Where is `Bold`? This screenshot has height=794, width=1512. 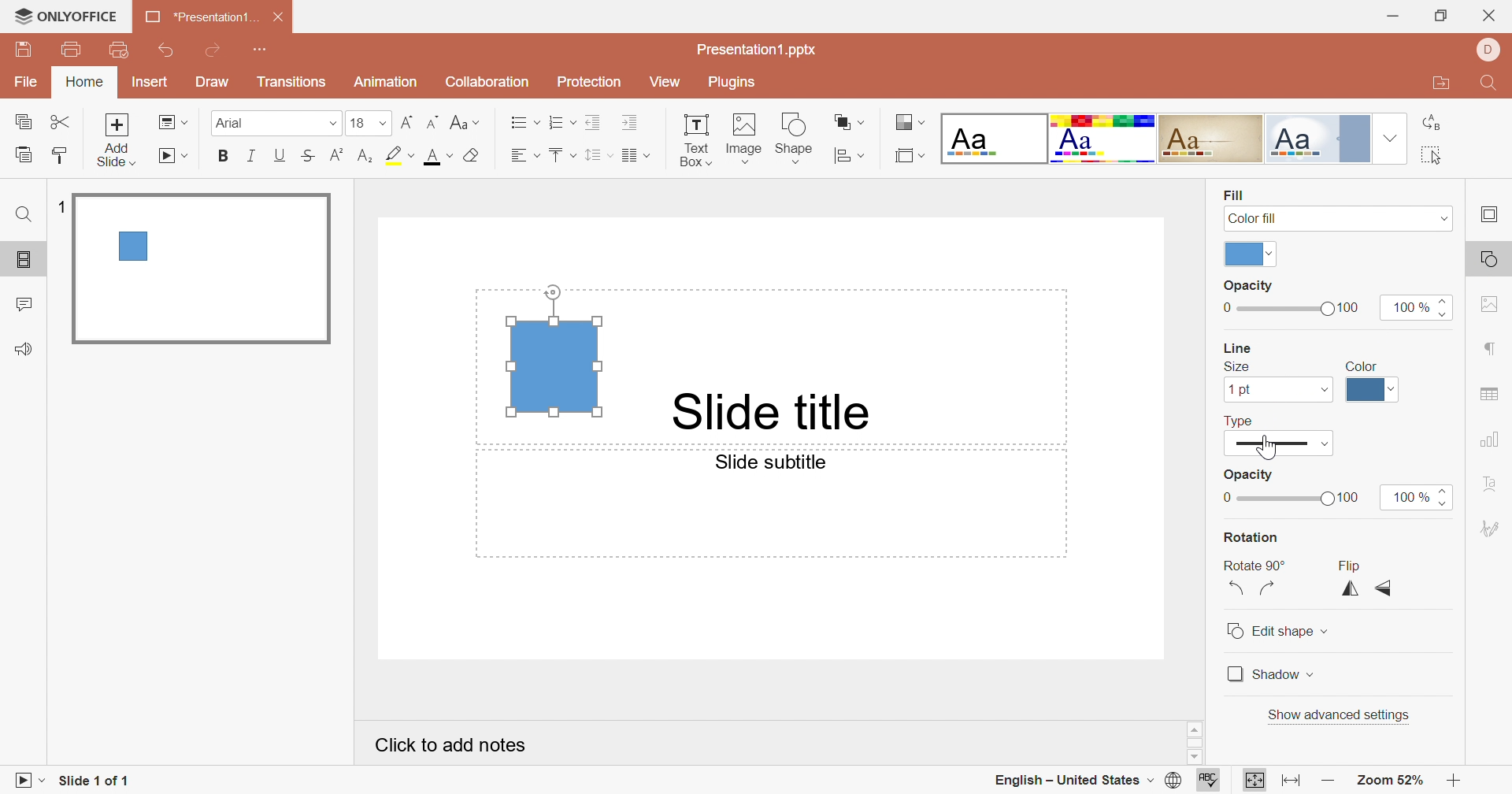 Bold is located at coordinates (224, 157).